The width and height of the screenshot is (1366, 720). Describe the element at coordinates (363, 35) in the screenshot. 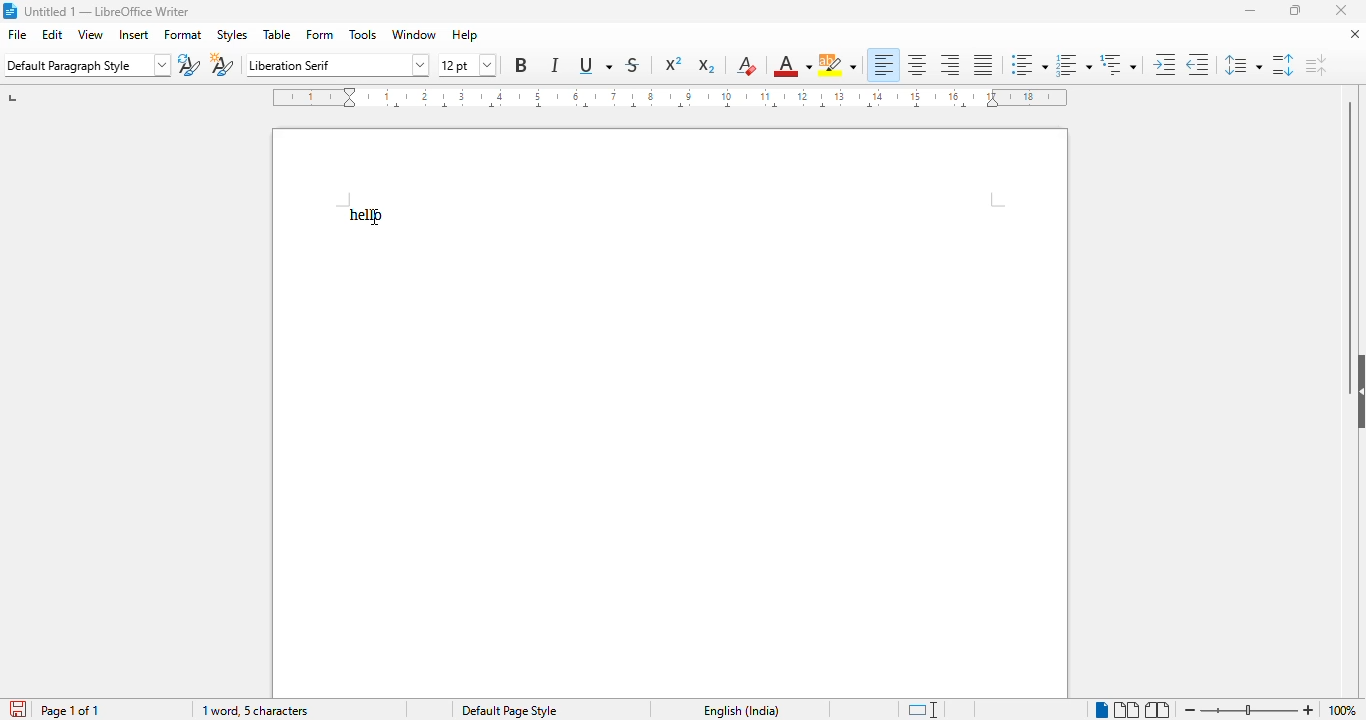

I see `tools` at that location.